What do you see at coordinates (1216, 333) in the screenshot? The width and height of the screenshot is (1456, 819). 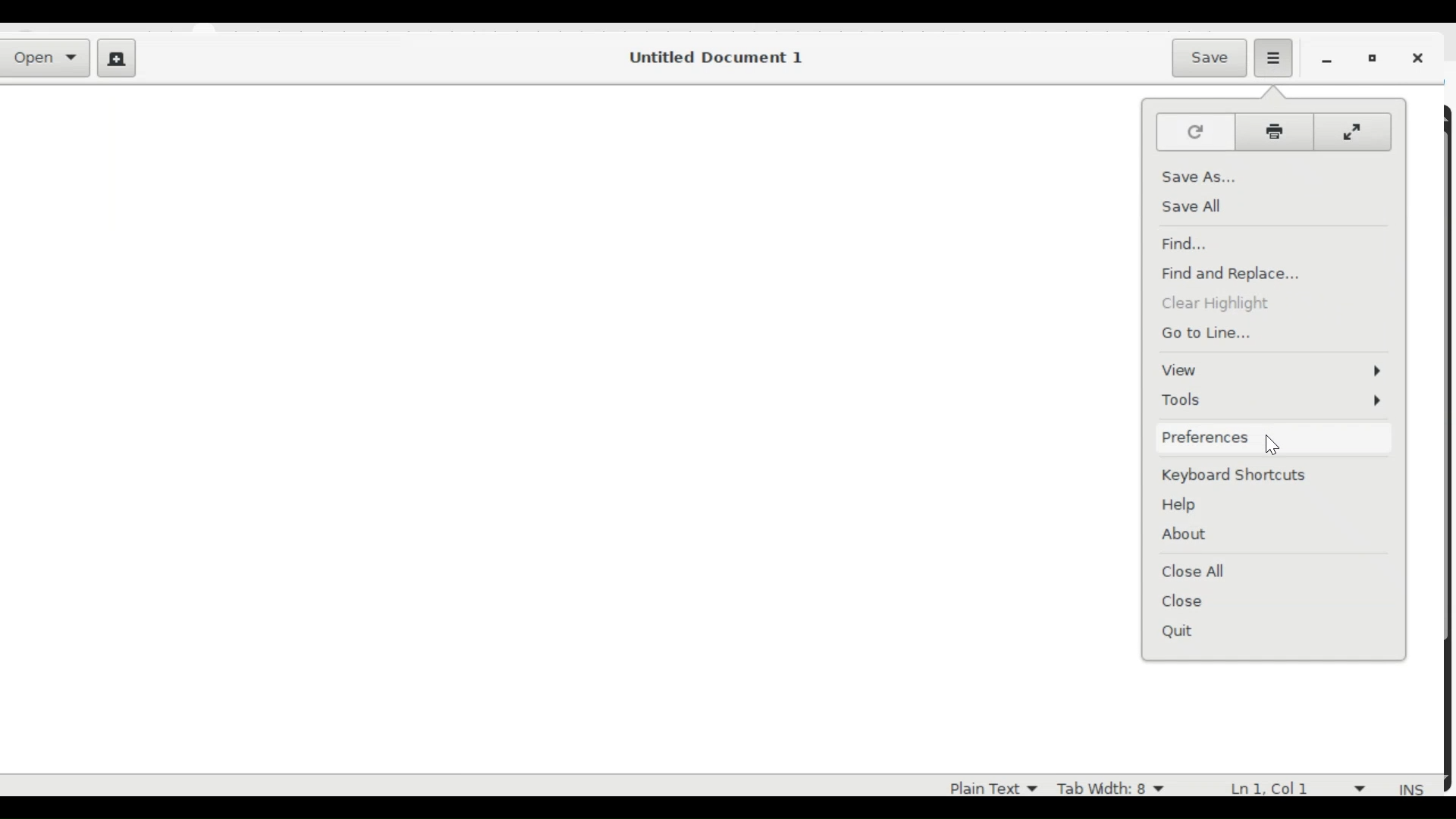 I see `Go to Line` at bounding box center [1216, 333].